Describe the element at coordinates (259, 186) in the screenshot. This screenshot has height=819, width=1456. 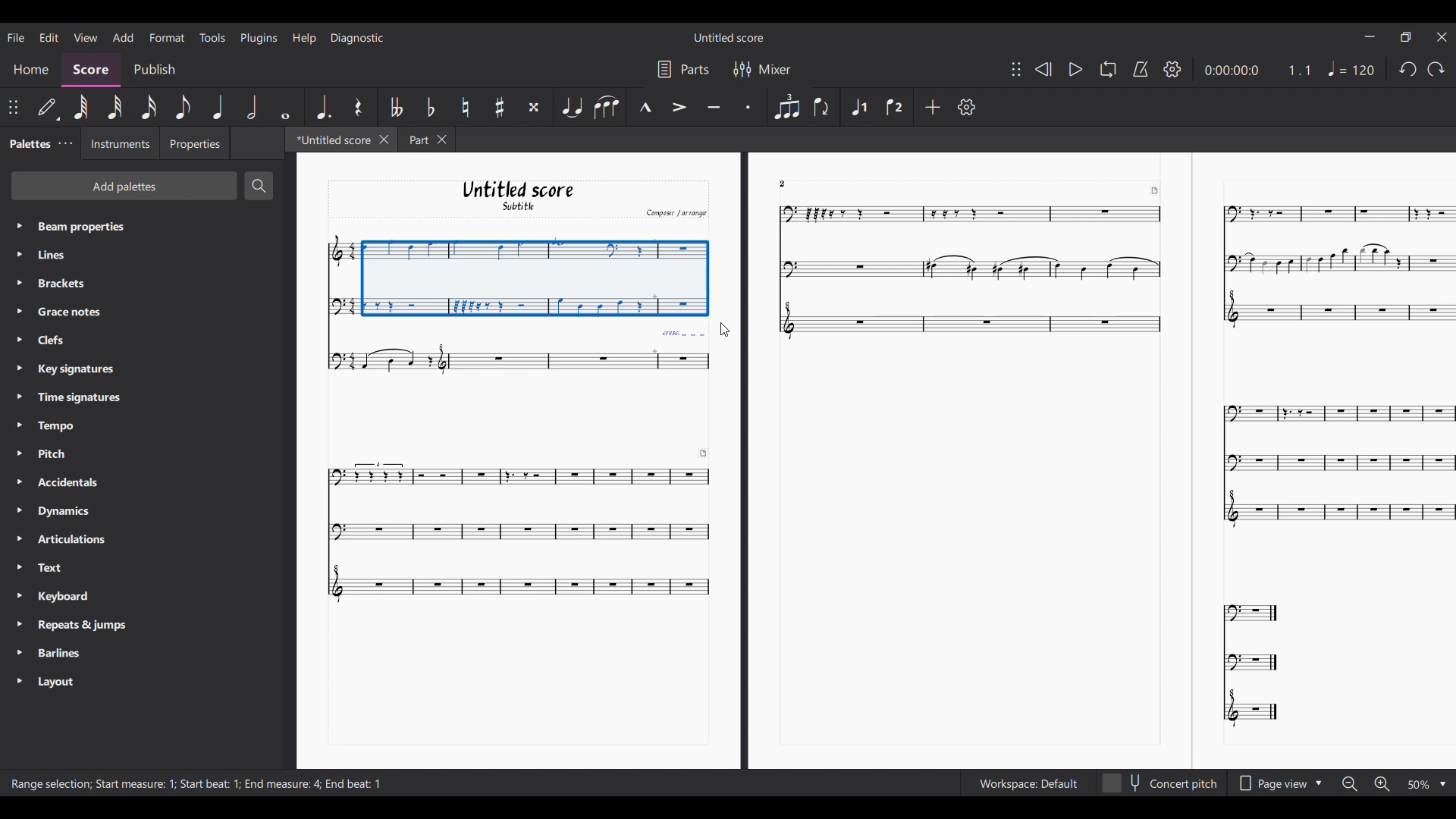
I see `Search` at that location.